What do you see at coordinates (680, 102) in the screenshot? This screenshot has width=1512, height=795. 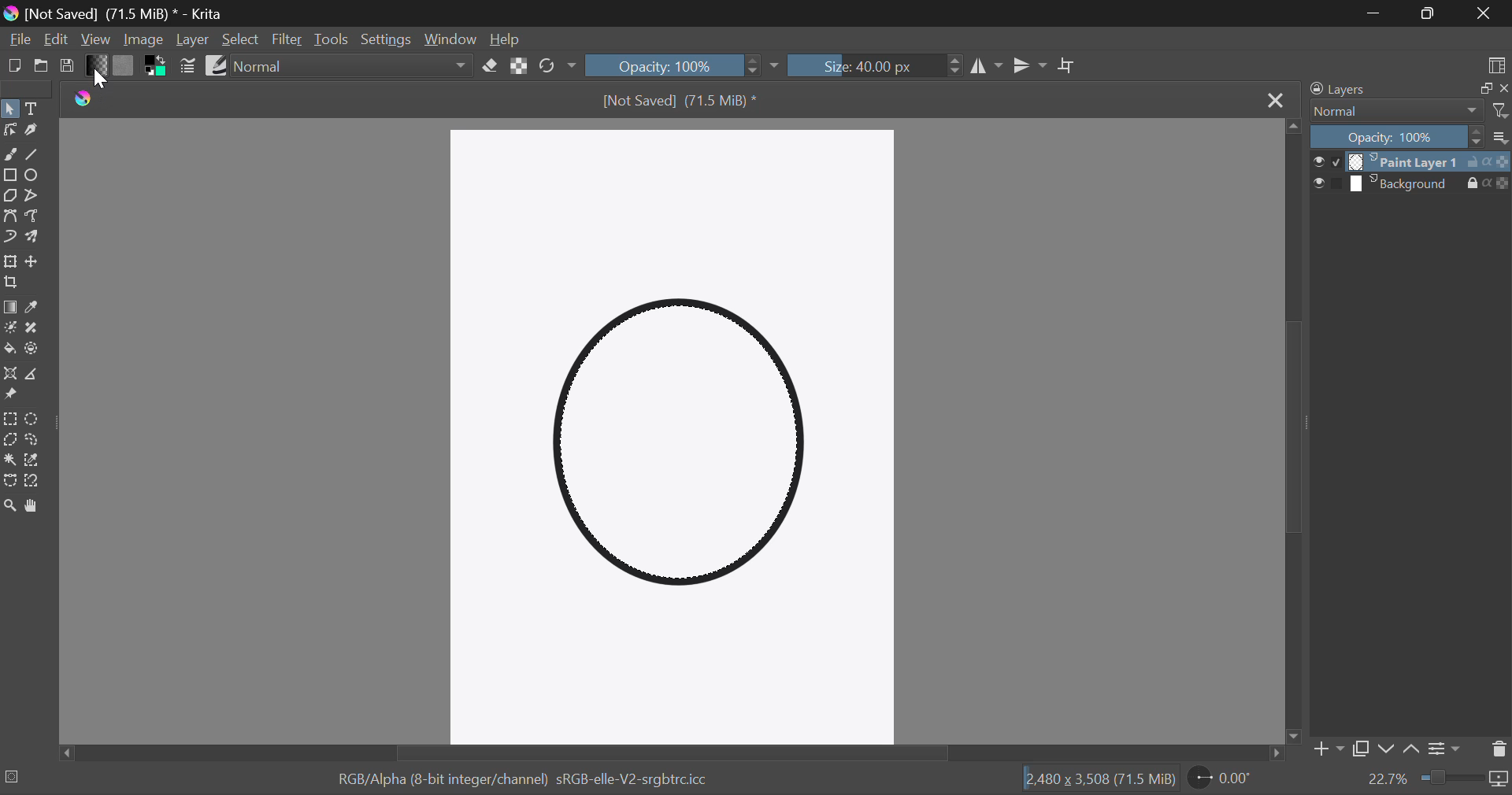 I see `[Not Saved] (71.5 MiB) *` at bounding box center [680, 102].